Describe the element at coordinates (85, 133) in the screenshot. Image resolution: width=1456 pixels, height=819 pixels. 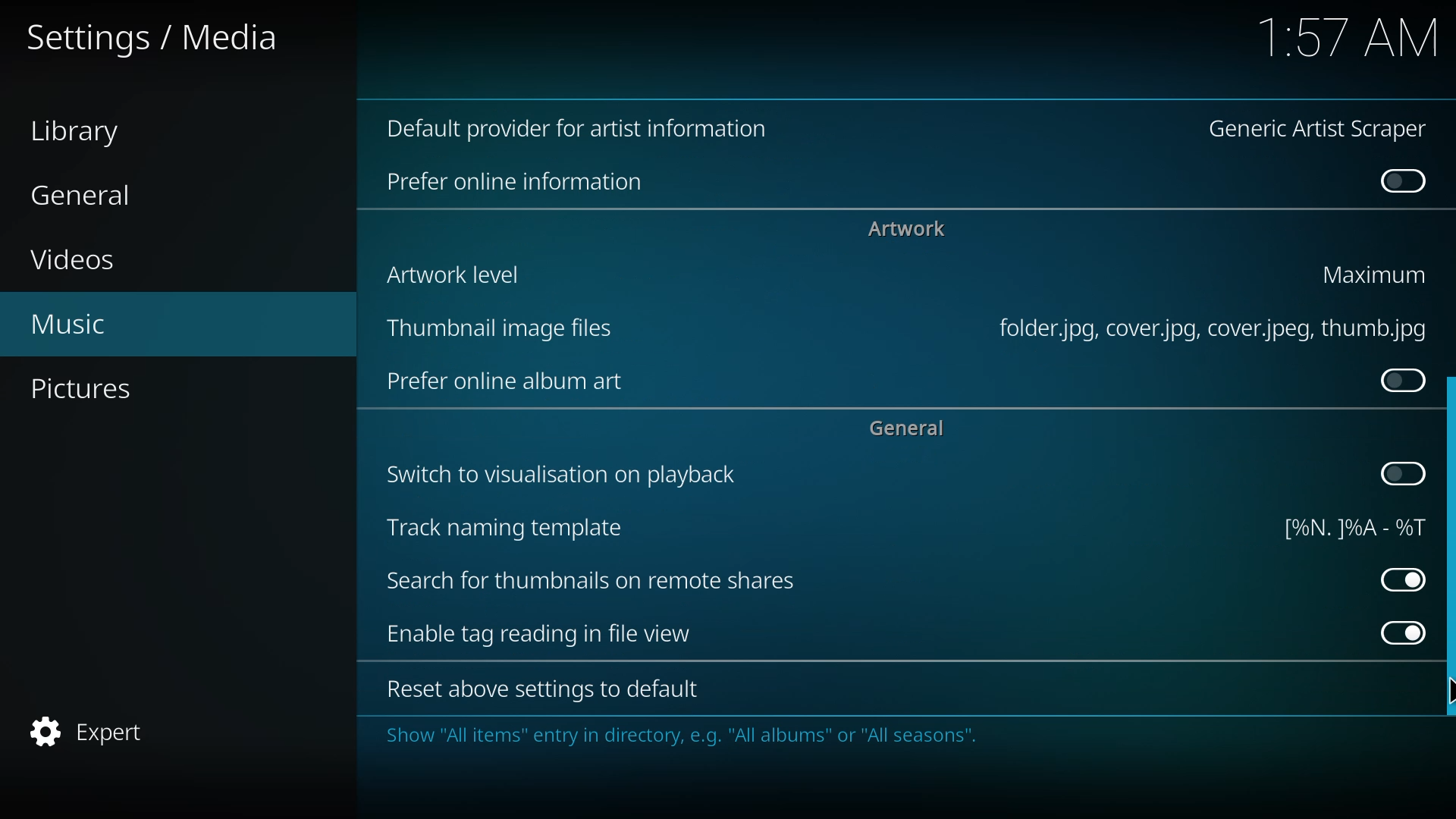
I see `library` at that location.